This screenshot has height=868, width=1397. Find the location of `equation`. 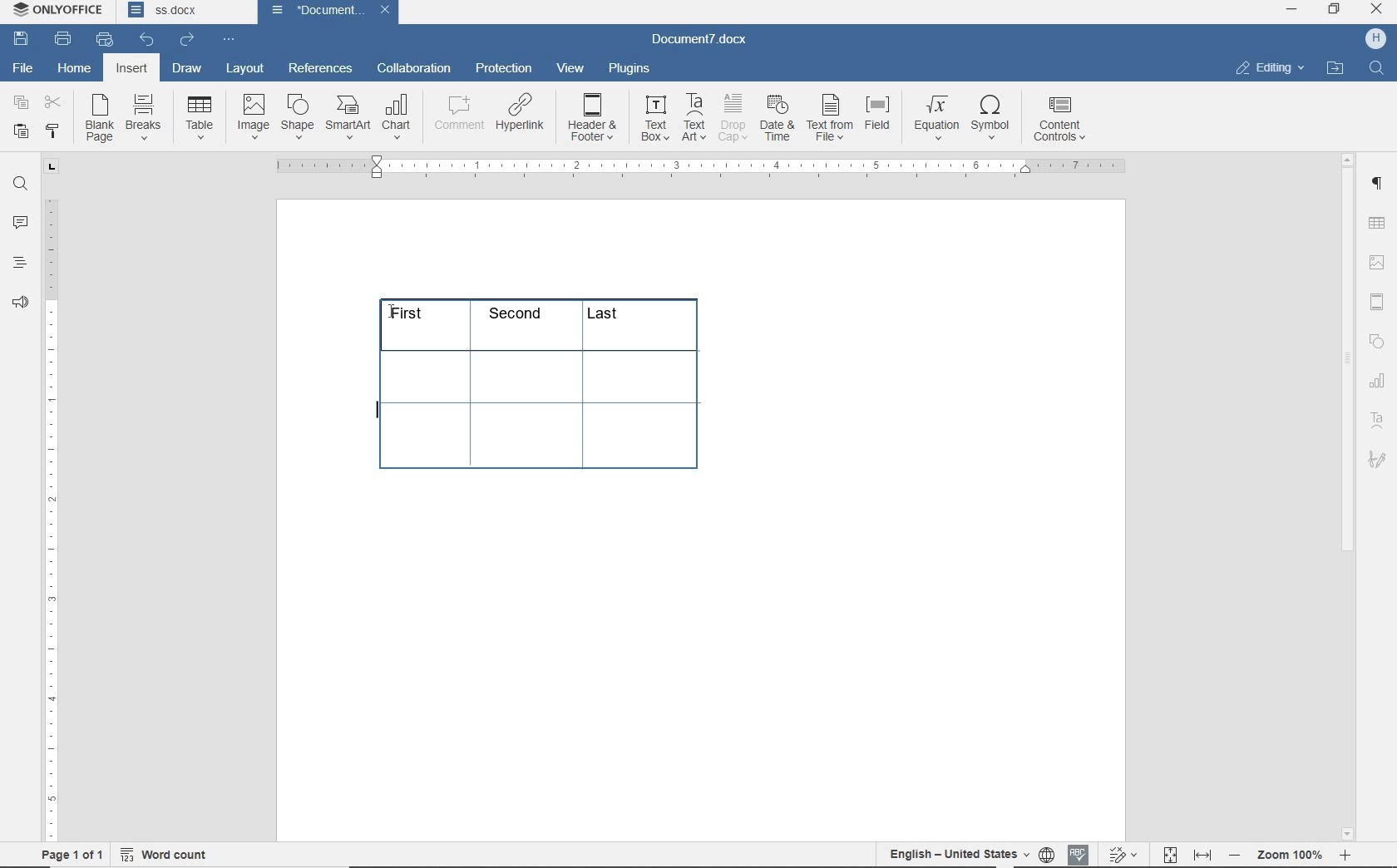

equation is located at coordinates (937, 119).